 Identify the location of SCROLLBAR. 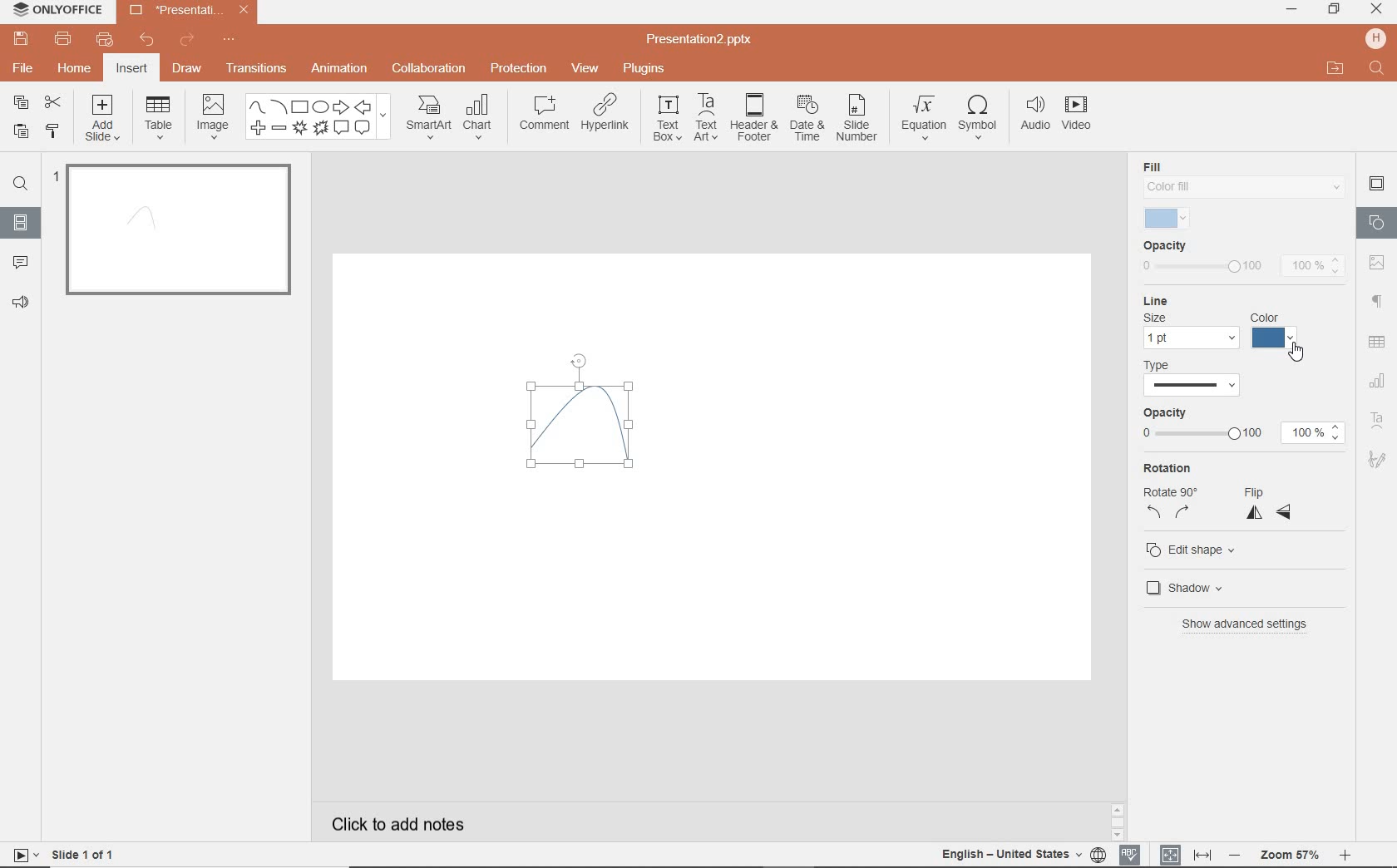
(1118, 820).